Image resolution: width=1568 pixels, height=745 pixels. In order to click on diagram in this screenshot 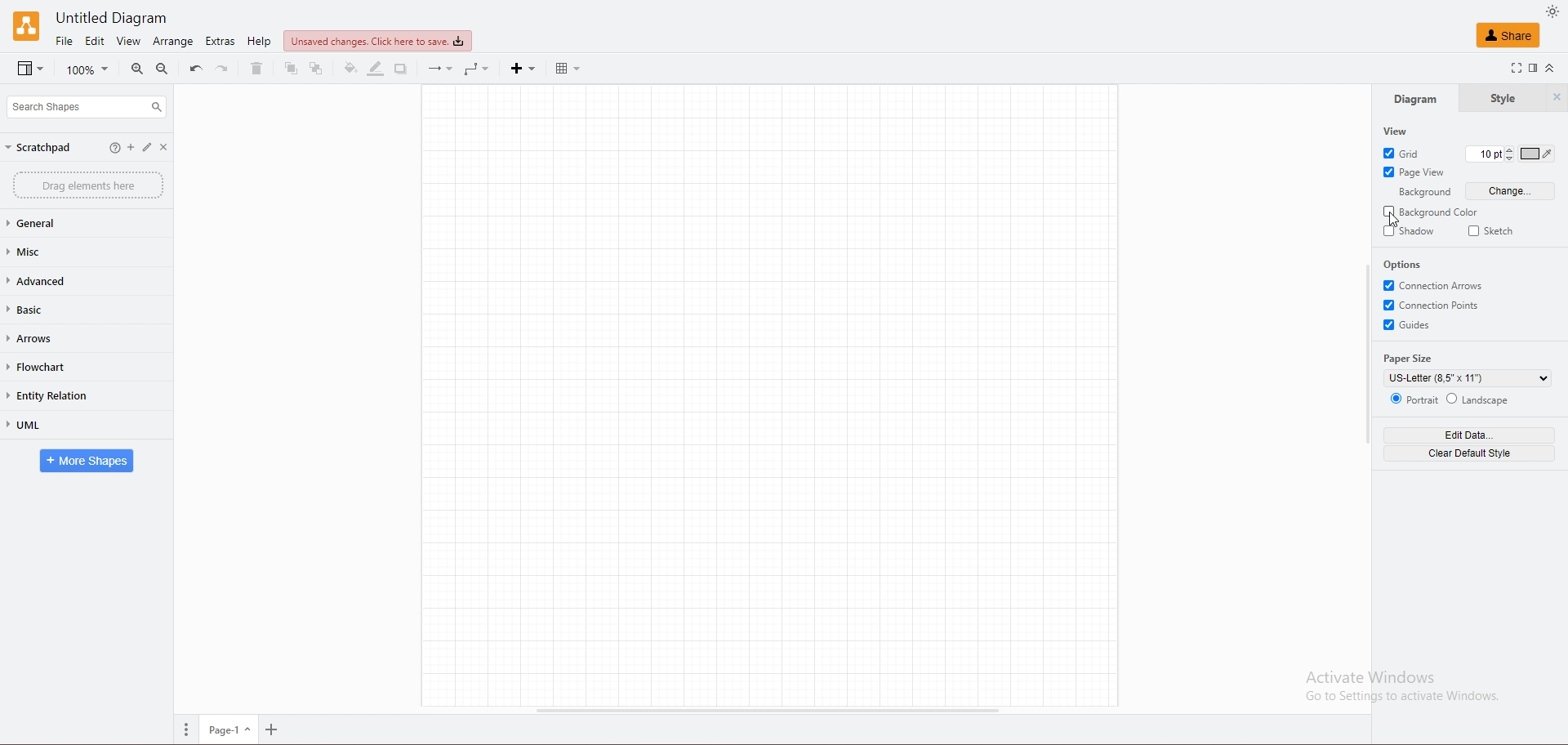, I will do `click(1414, 99)`.